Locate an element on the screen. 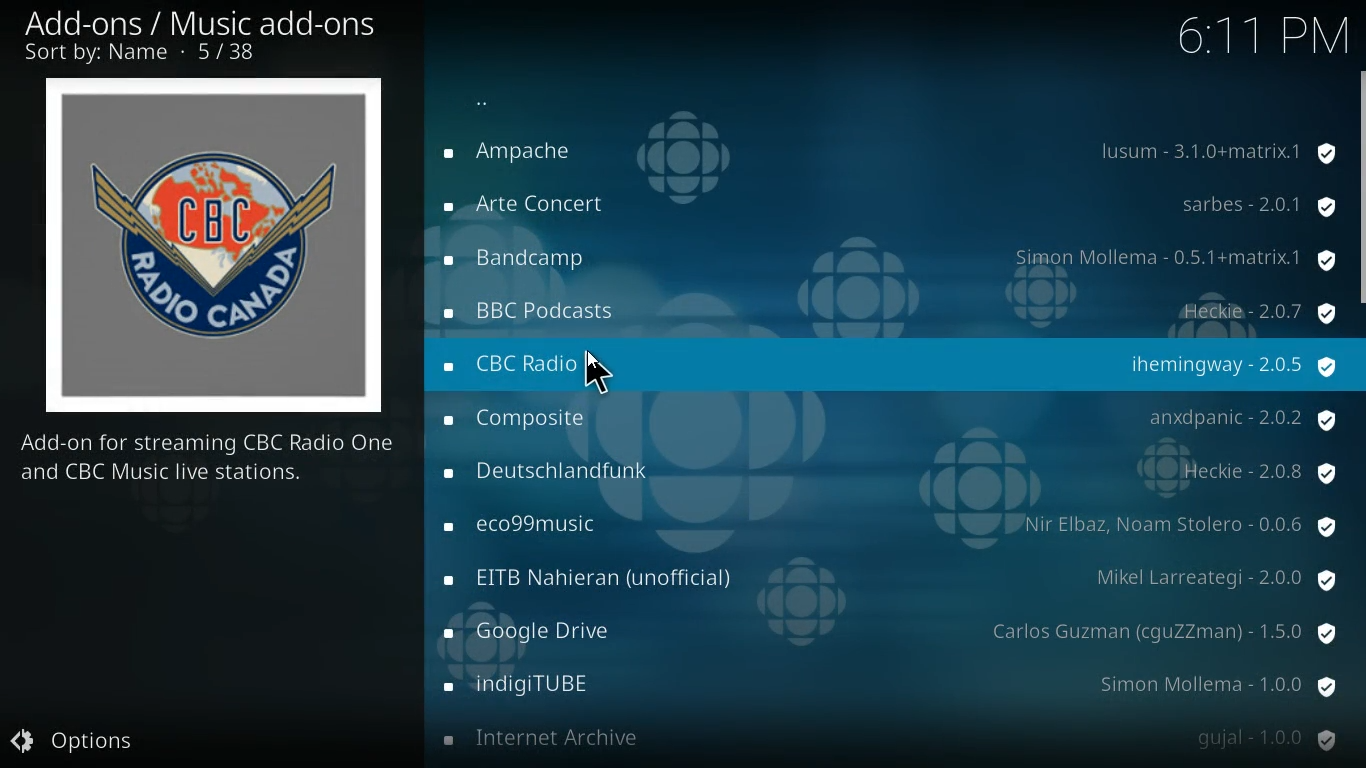 This screenshot has width=1366, height=768. protection is located at coordinates (1147, 634).